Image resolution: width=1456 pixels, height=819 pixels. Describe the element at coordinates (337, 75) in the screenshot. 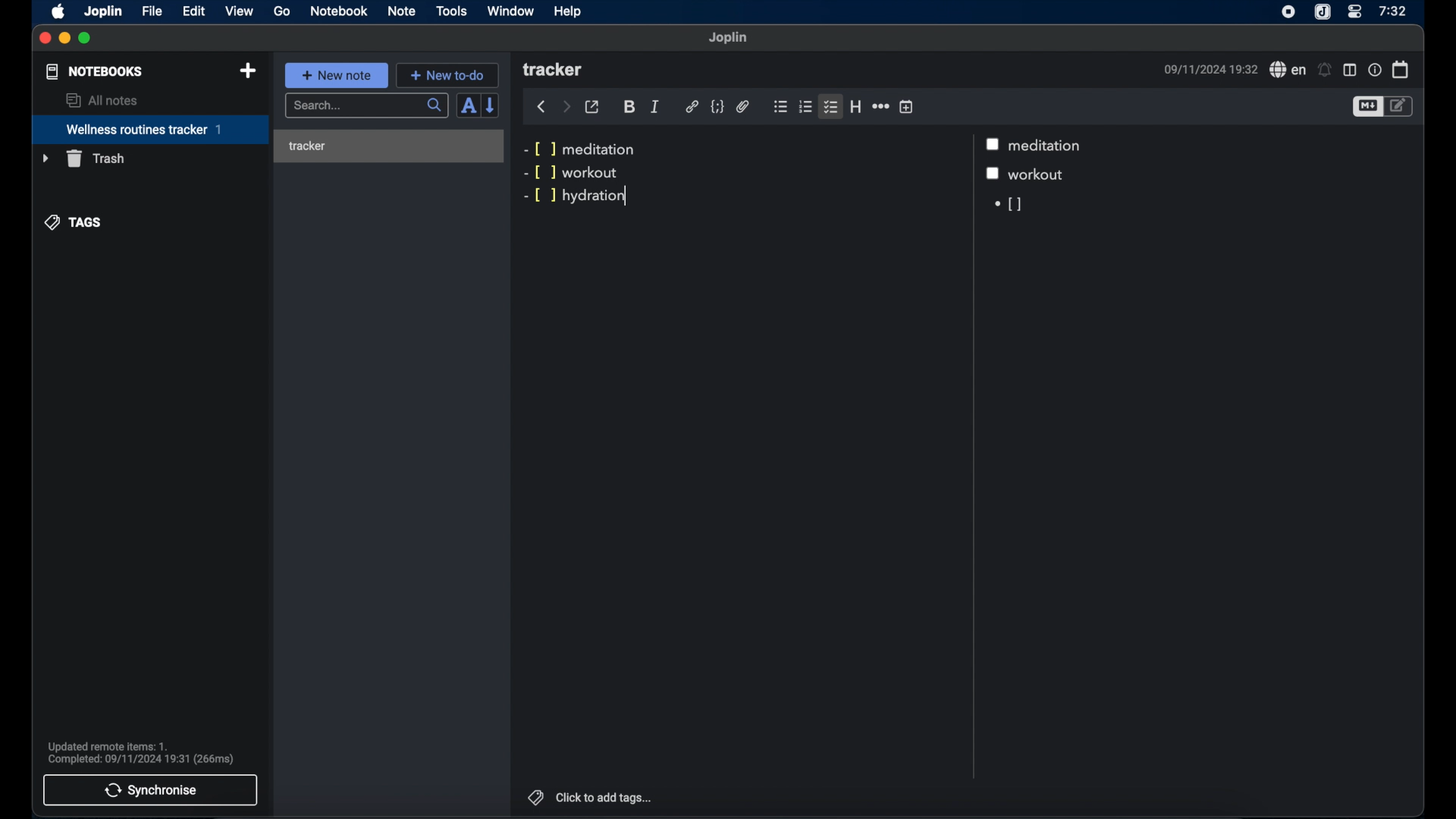

I see `+ new note` at that location.